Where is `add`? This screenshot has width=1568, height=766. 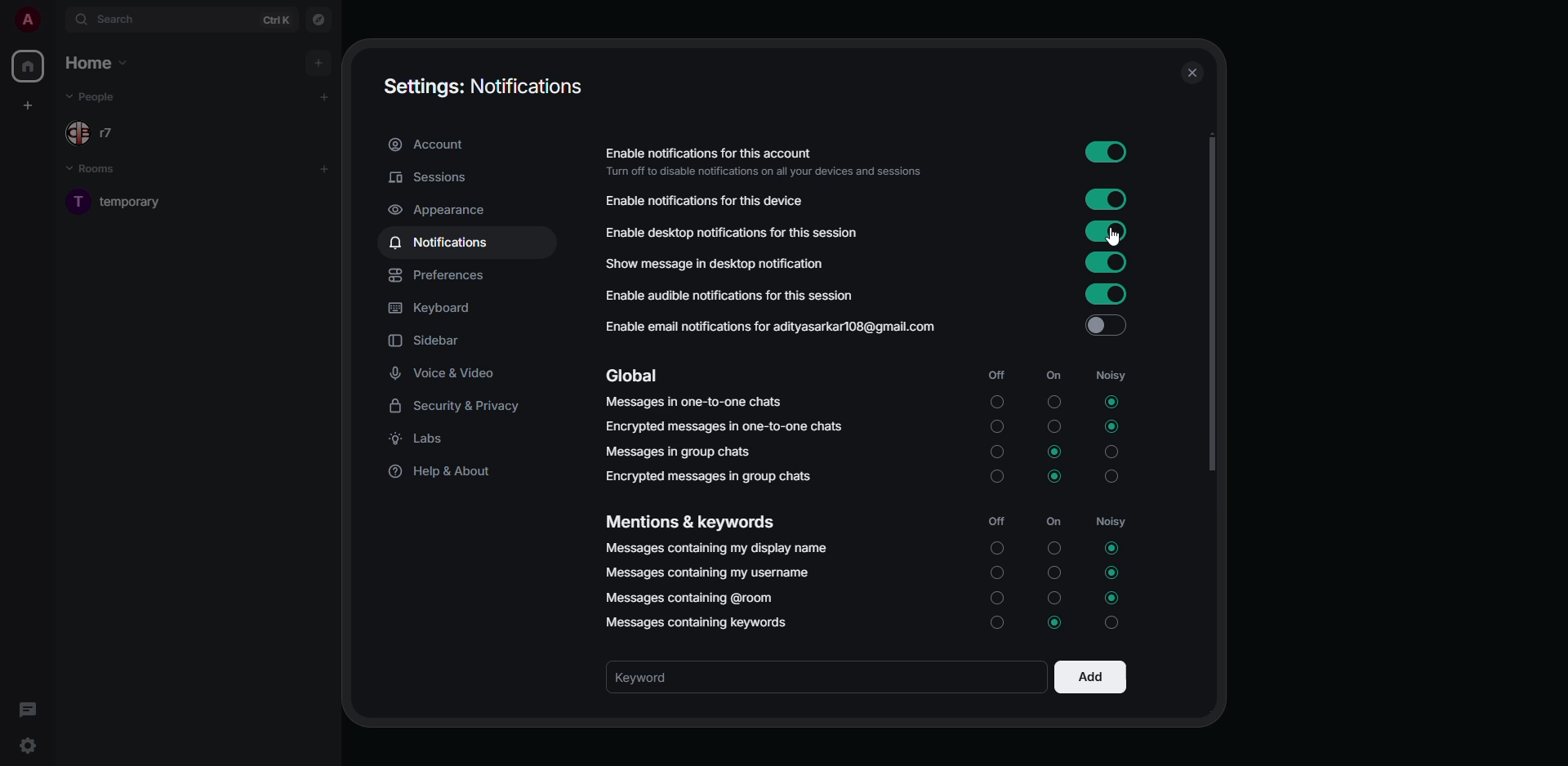 add is located at coordinates (319, 60).